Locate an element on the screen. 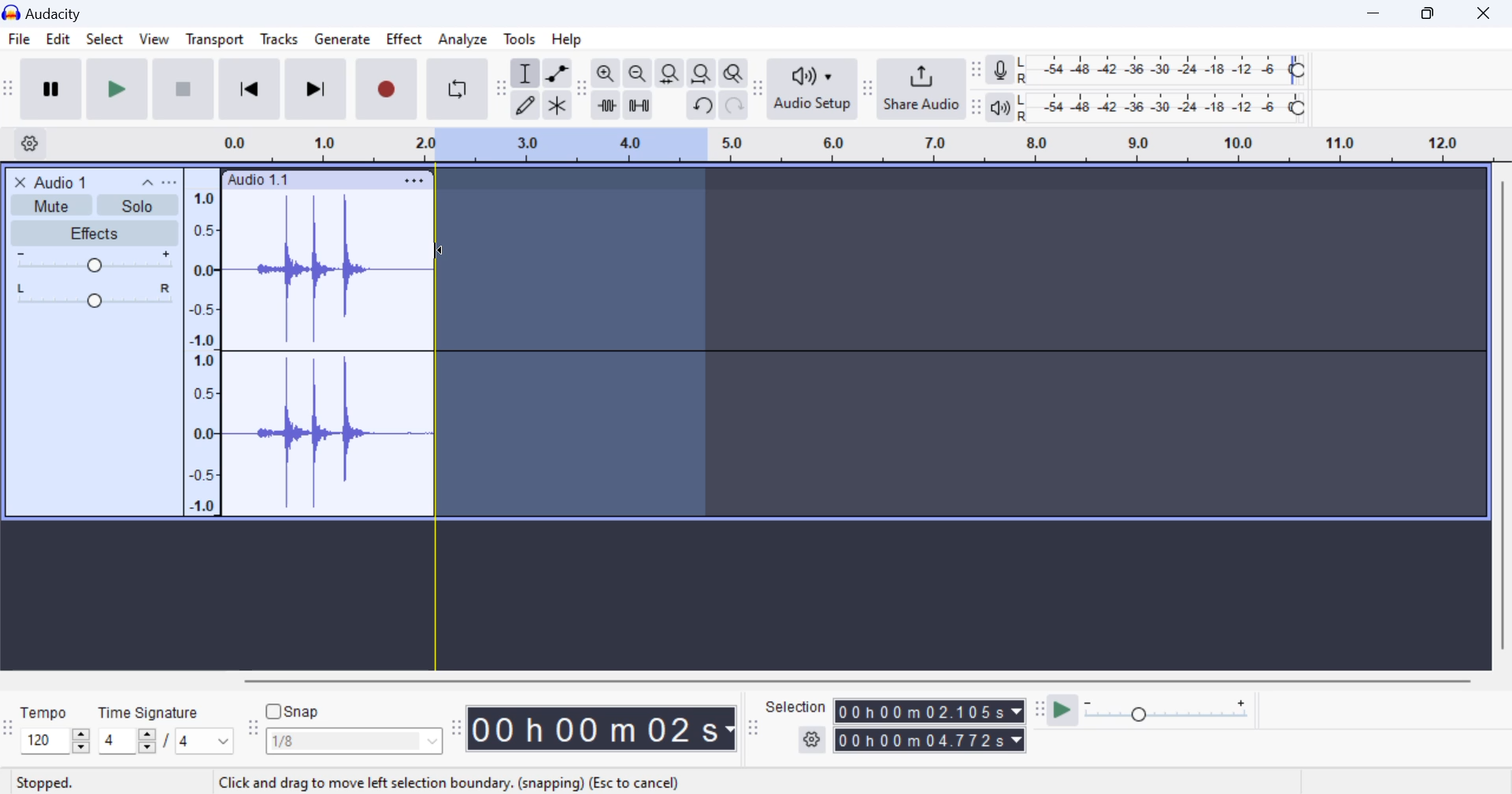 The image size is (1512, 794). Transport is located at coordinates (214, 42).